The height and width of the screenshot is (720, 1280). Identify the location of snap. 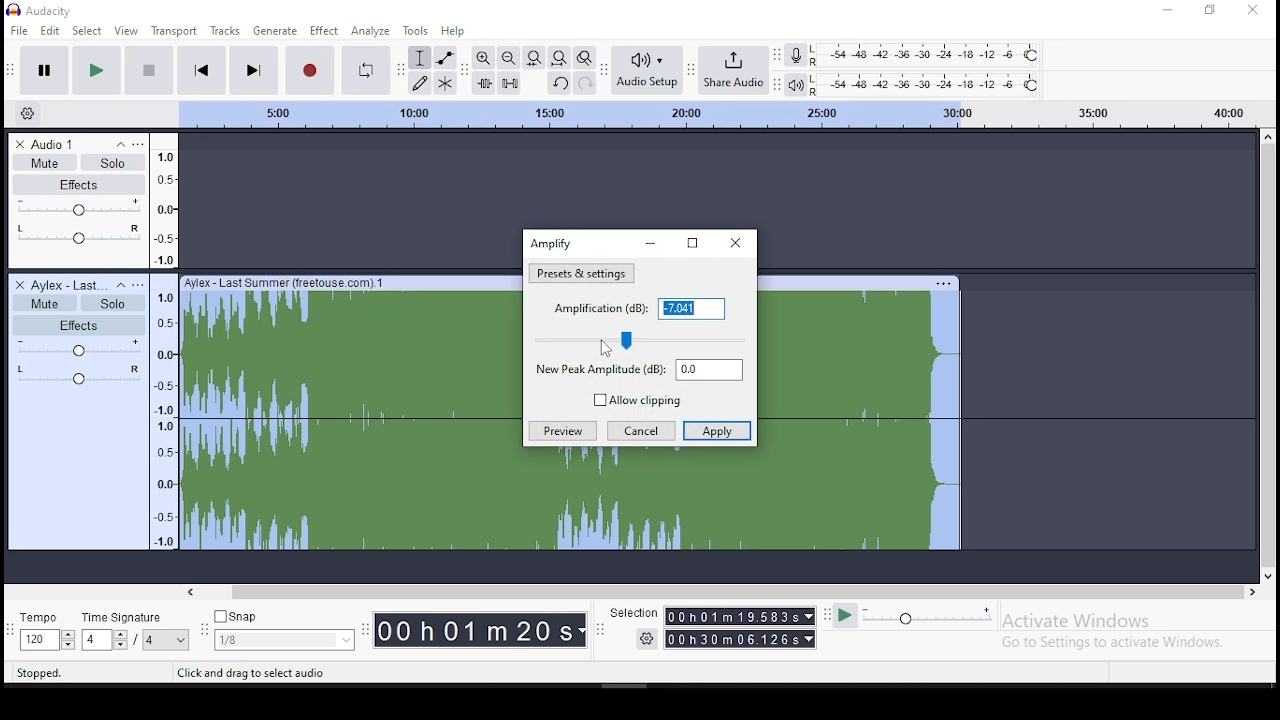
(286, 629).